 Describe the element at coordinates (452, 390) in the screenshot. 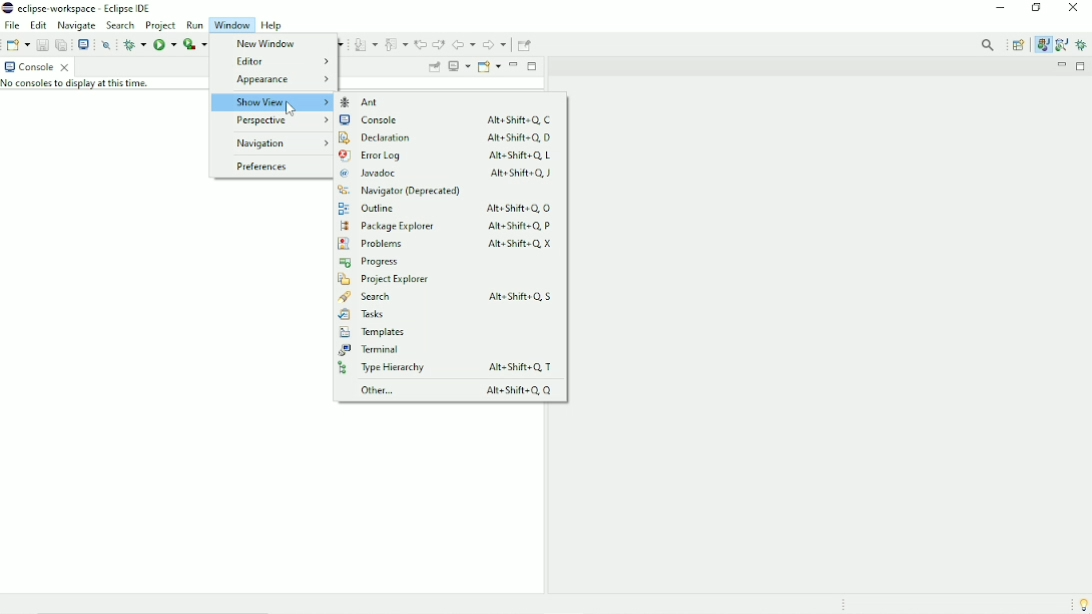

I see `Other` at that location.